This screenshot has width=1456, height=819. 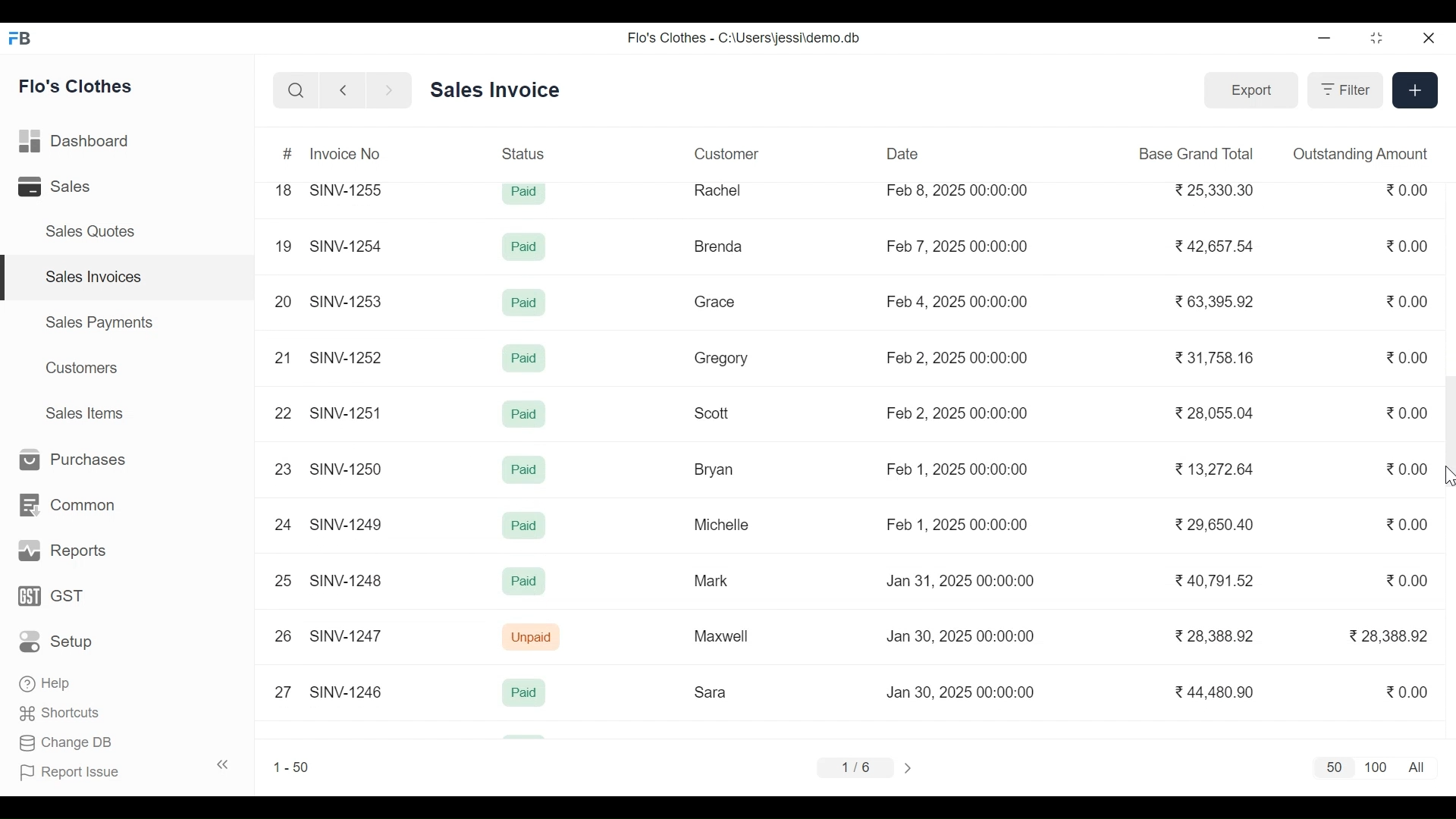 What do you see at coordinates (957, 190) in the screenshot?
I see `Feb 8, 2025 00:00:00` at bounding box center [957, 190].